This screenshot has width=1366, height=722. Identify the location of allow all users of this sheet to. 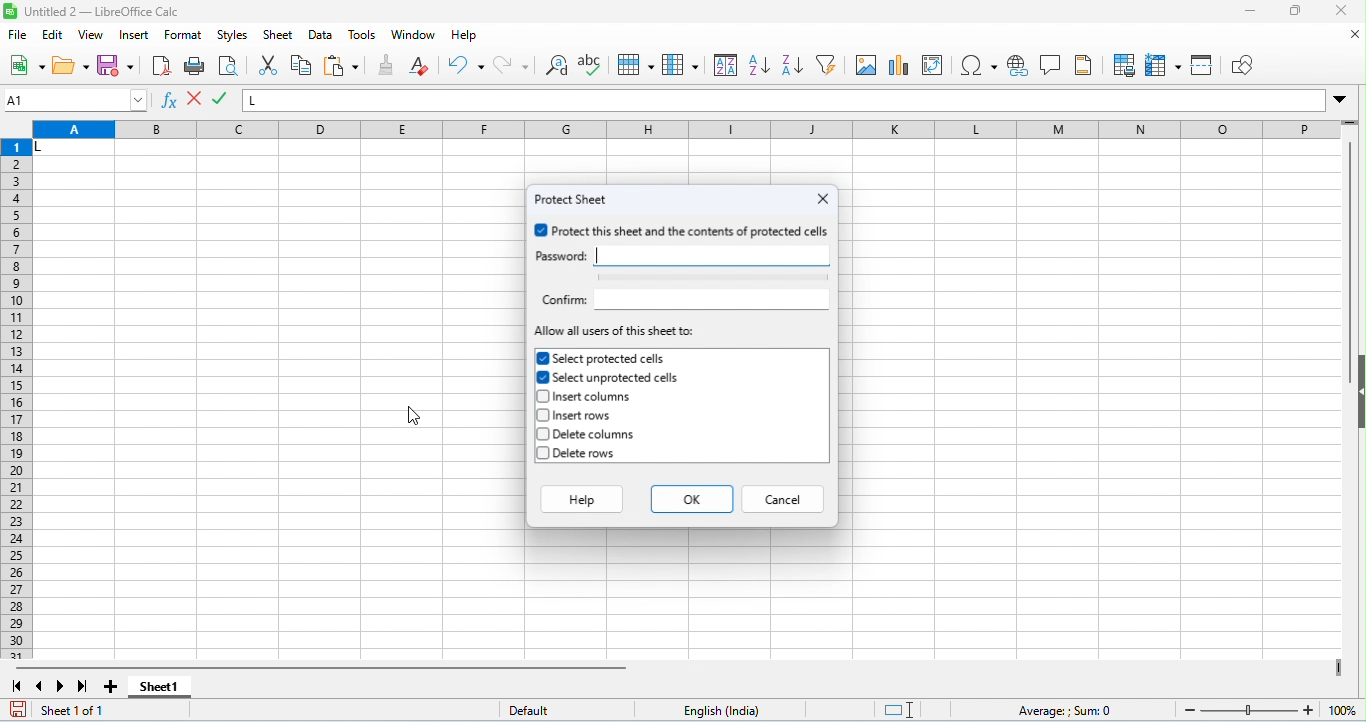
(616, 332).